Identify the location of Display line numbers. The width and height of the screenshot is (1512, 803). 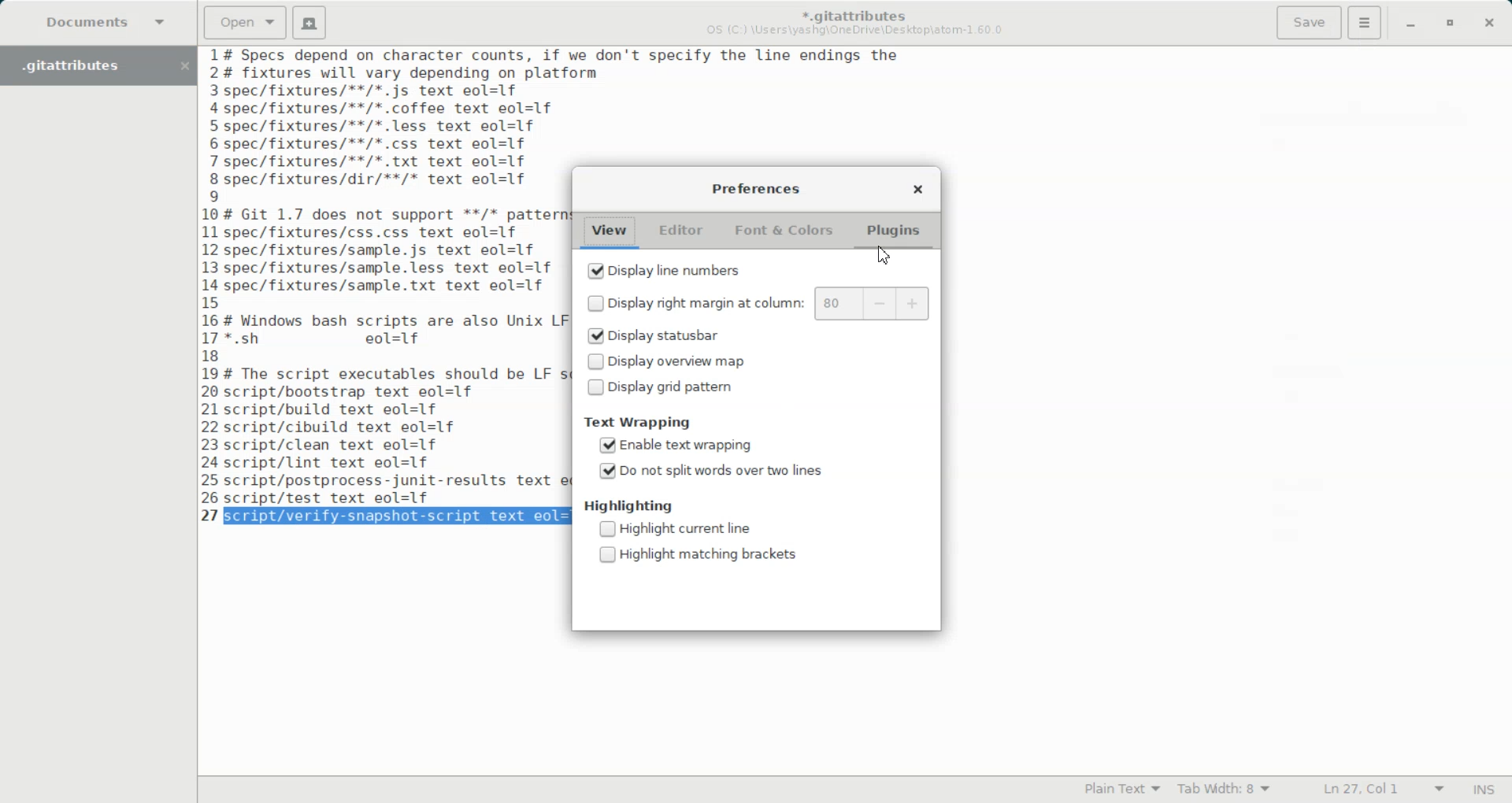
(664, 269).